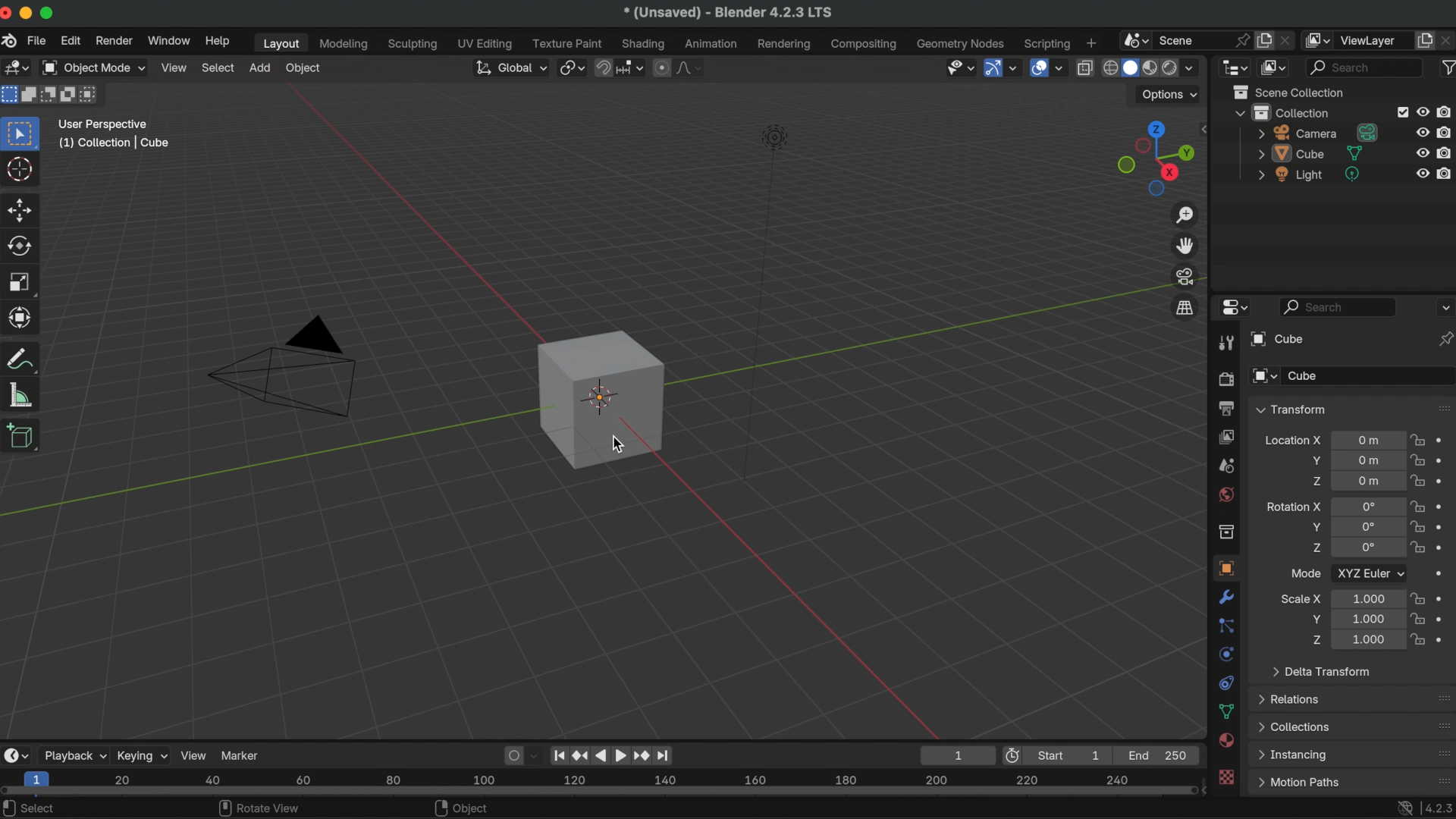 The width and height of the screenshot is (1456, 819). I want to click on gizmos, so click(1014, 68).